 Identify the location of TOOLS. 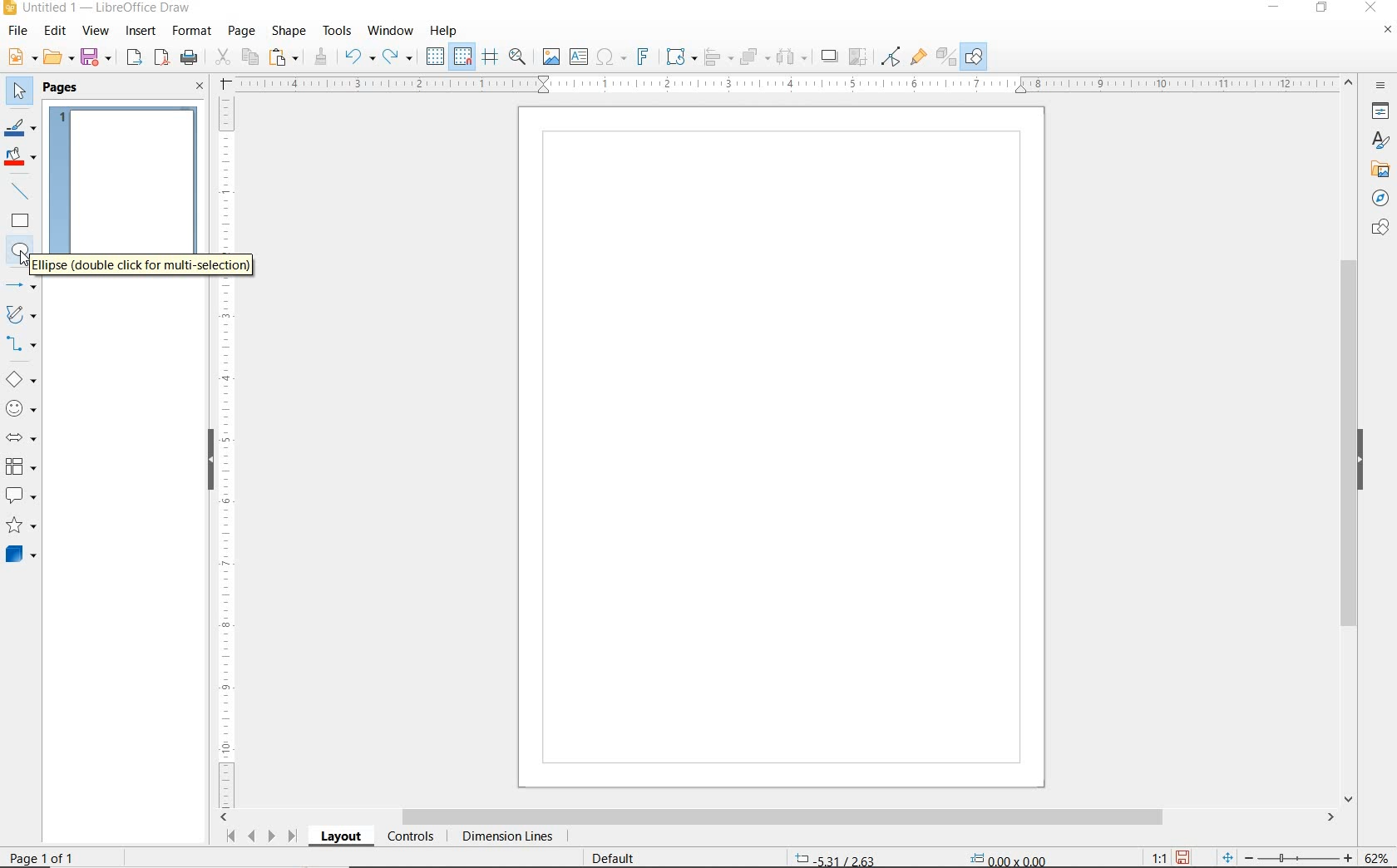
(337, 30).